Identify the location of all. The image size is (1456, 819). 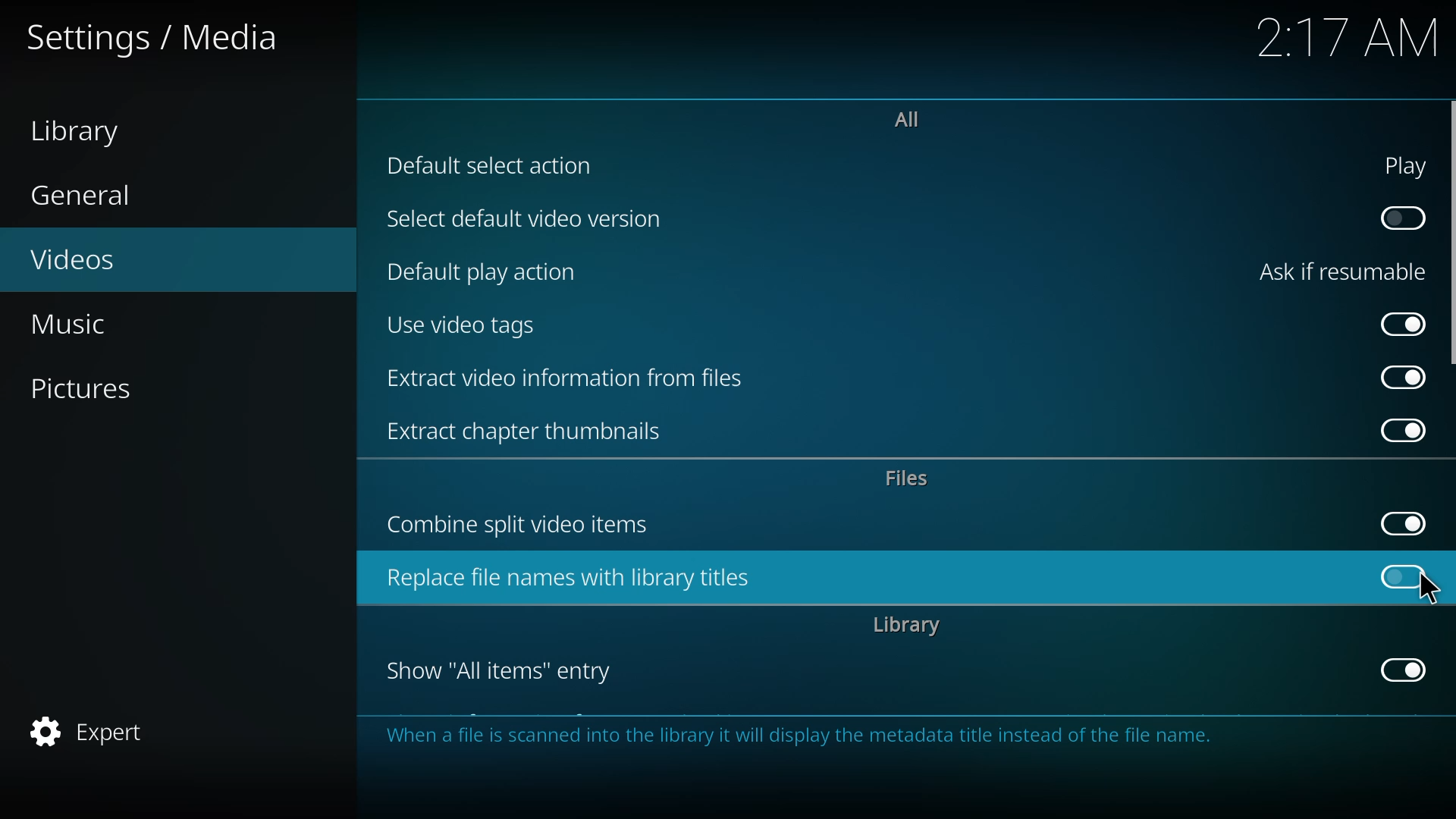
(907, 118).